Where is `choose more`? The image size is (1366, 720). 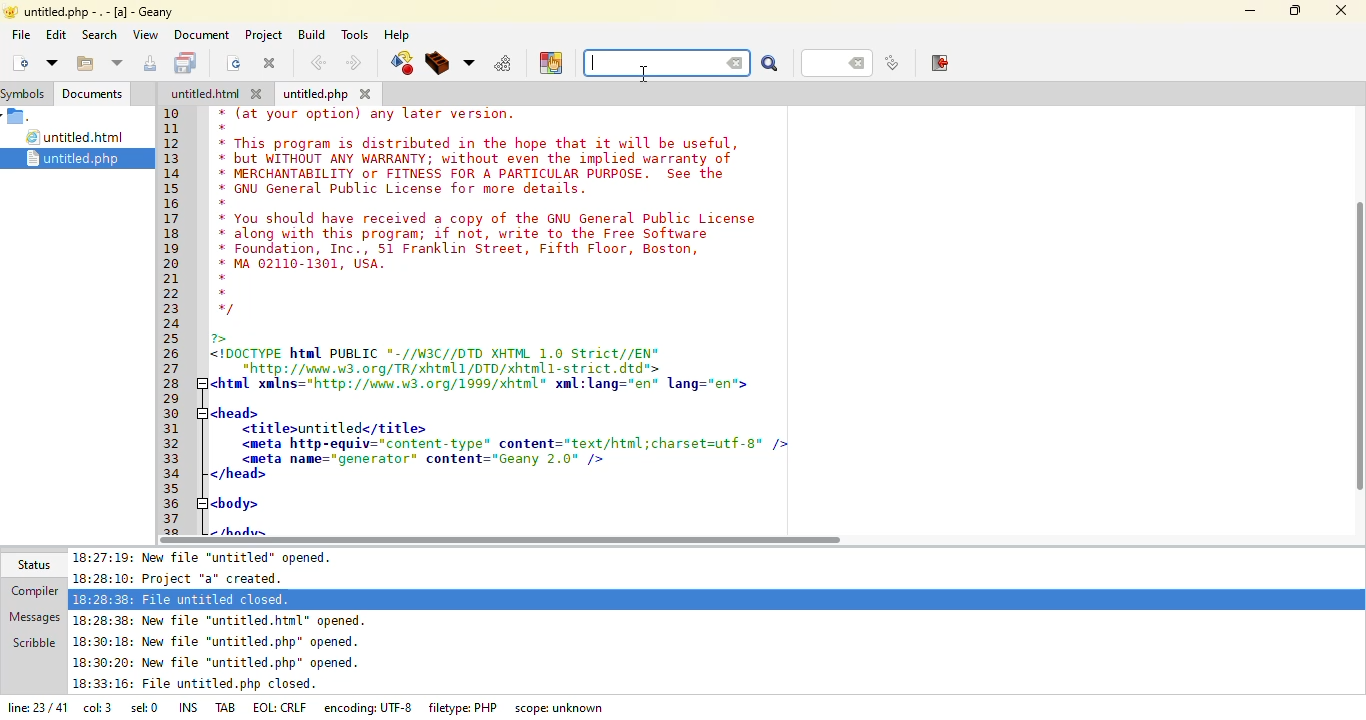 choose more is located at coordinates (469, 63).